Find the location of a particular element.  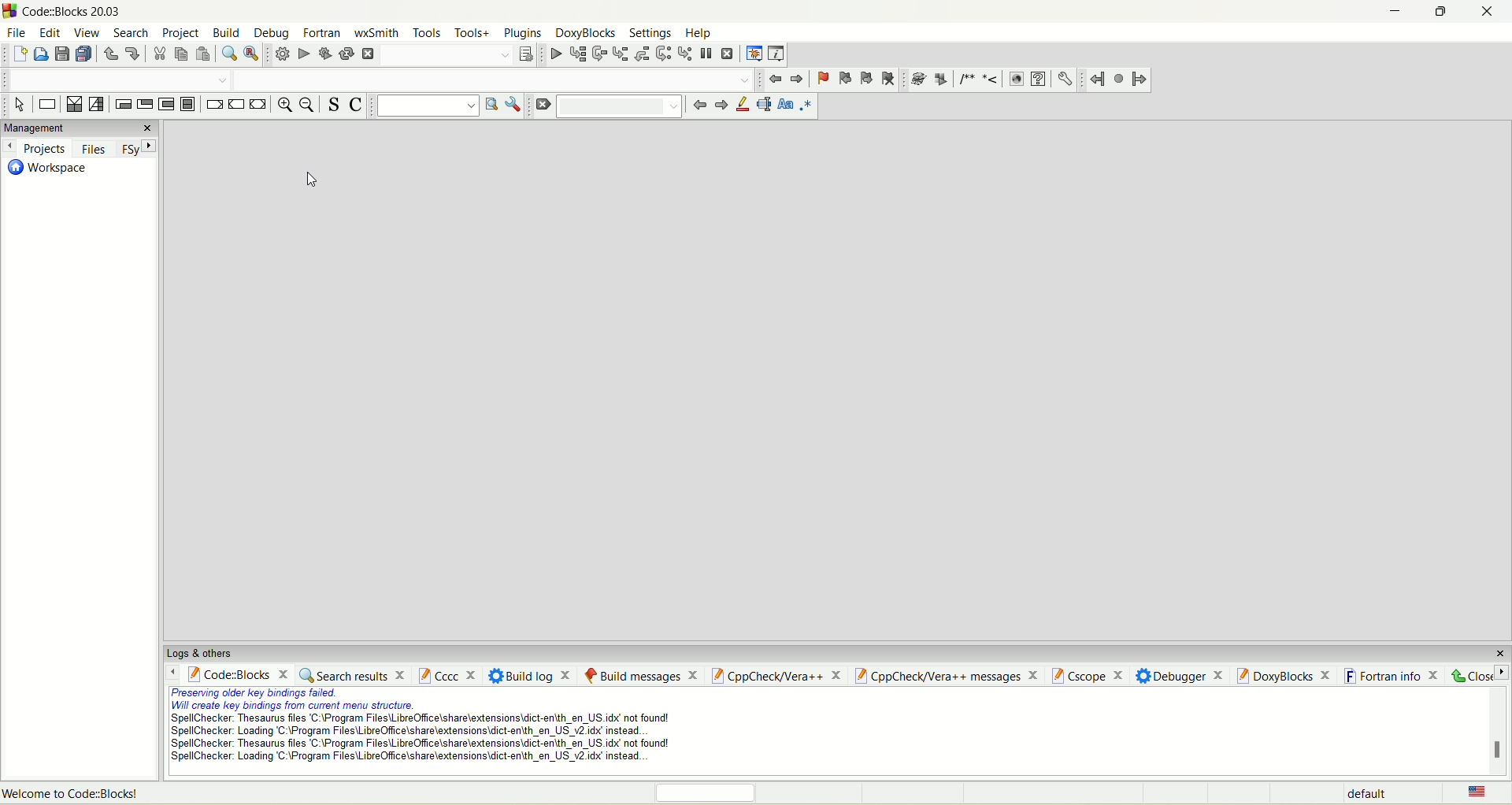

projects is located at coordinates (36, 149).